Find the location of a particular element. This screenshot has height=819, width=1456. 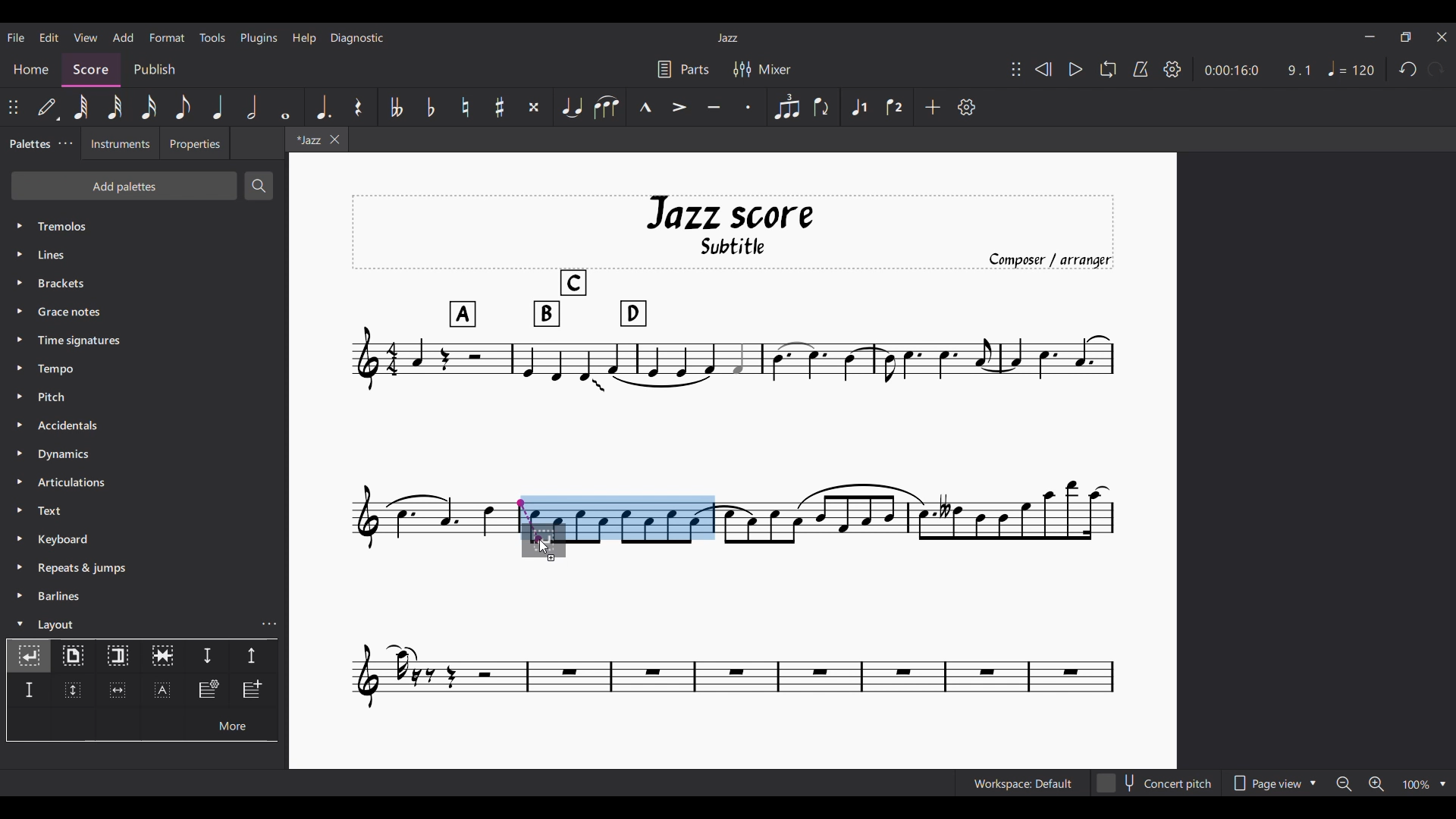

Tools menu is located at coordinates (212, 37).